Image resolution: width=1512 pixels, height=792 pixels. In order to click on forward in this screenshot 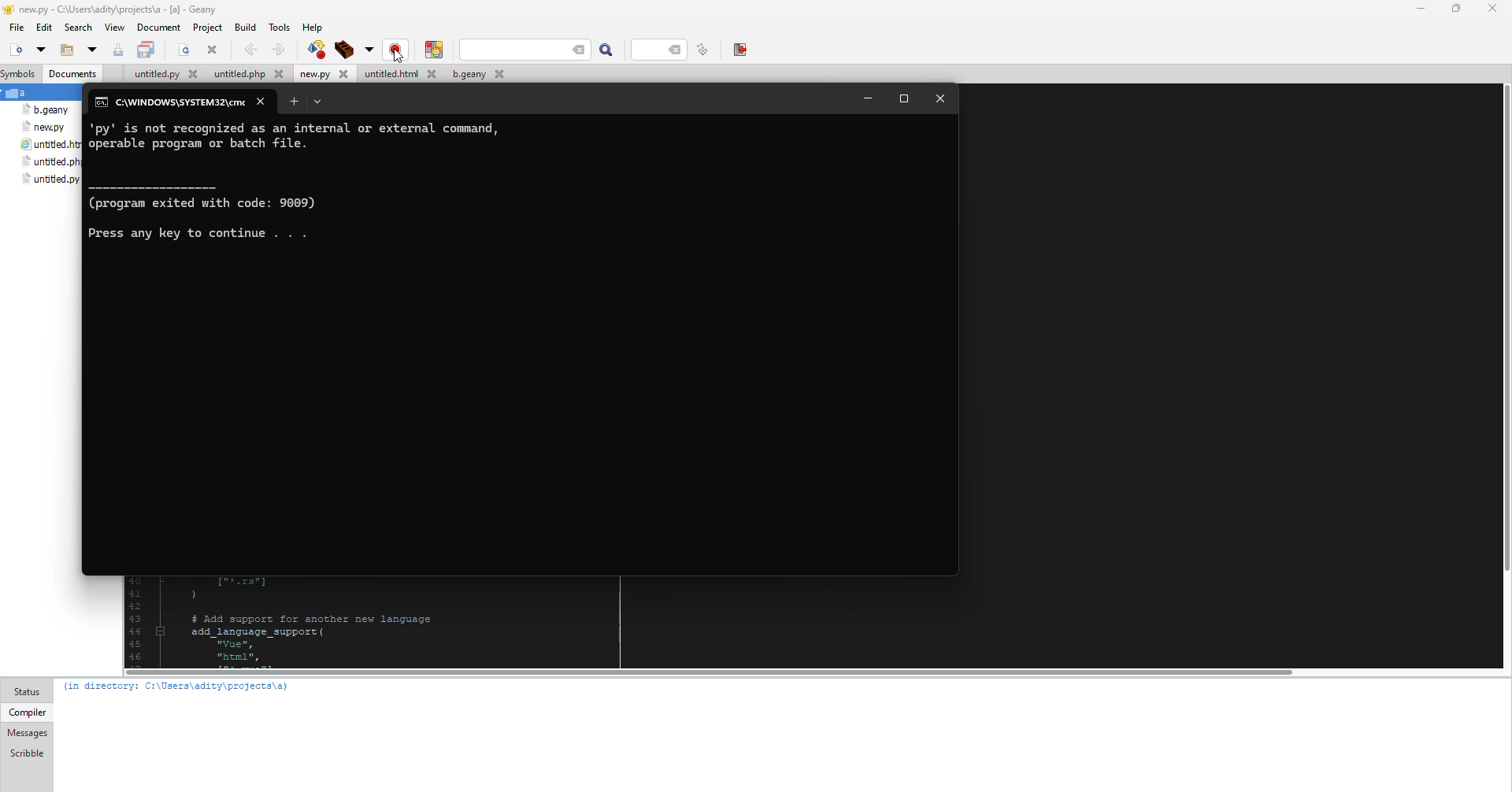, I will do `click(278, 49)`.